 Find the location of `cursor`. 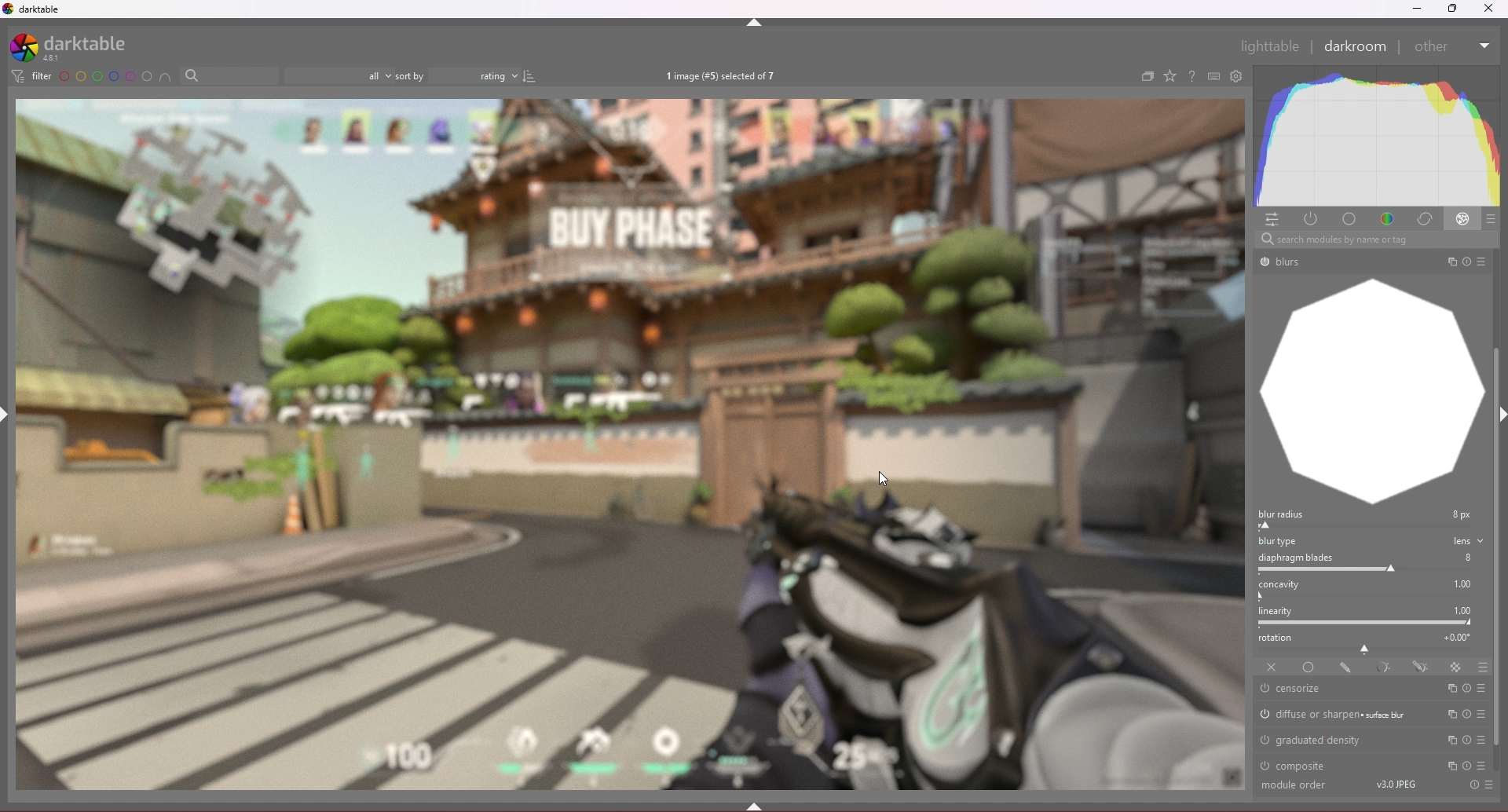

cursor is located at coordinates (883, 477).